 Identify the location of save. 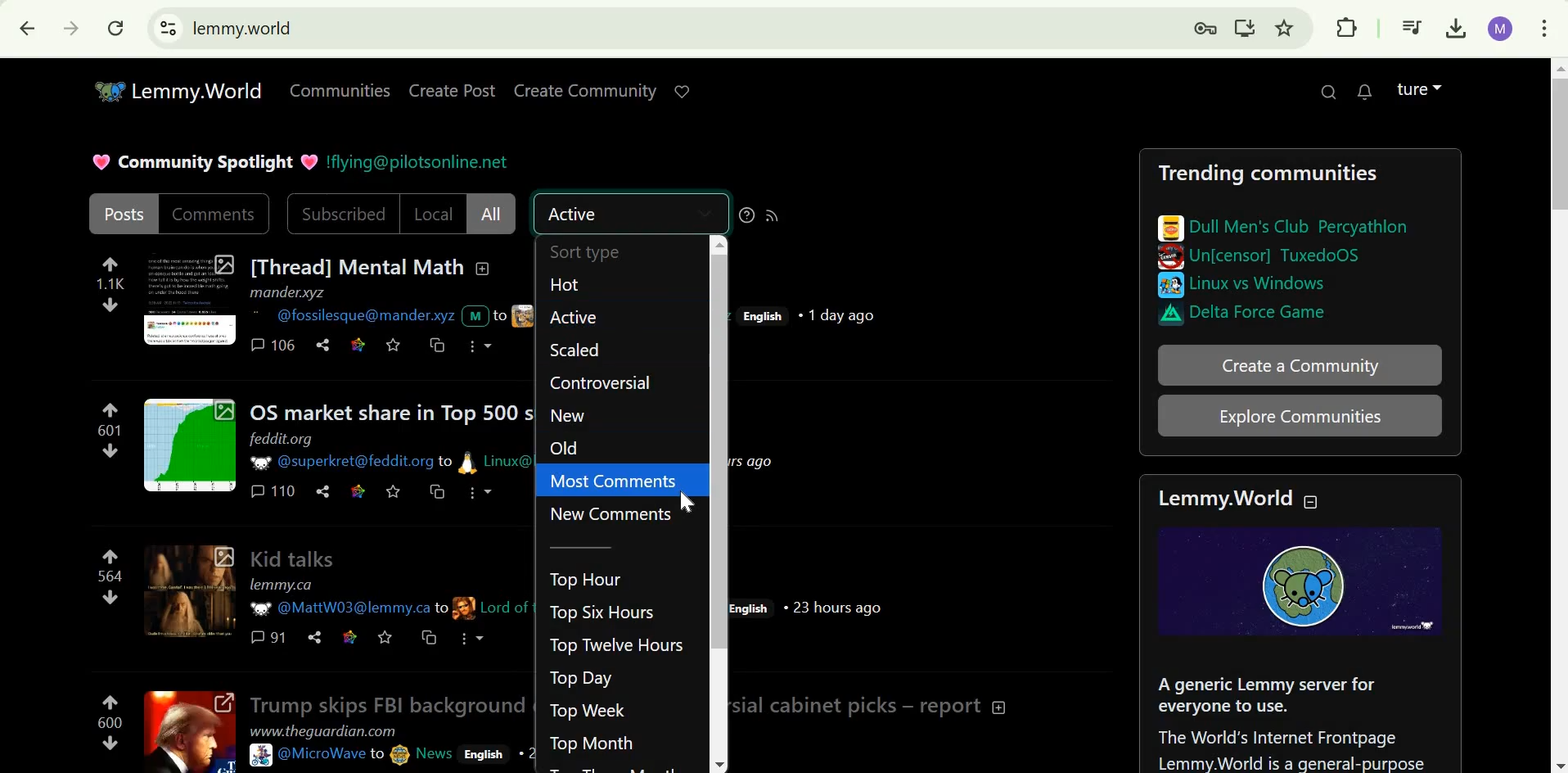
(394, 345).